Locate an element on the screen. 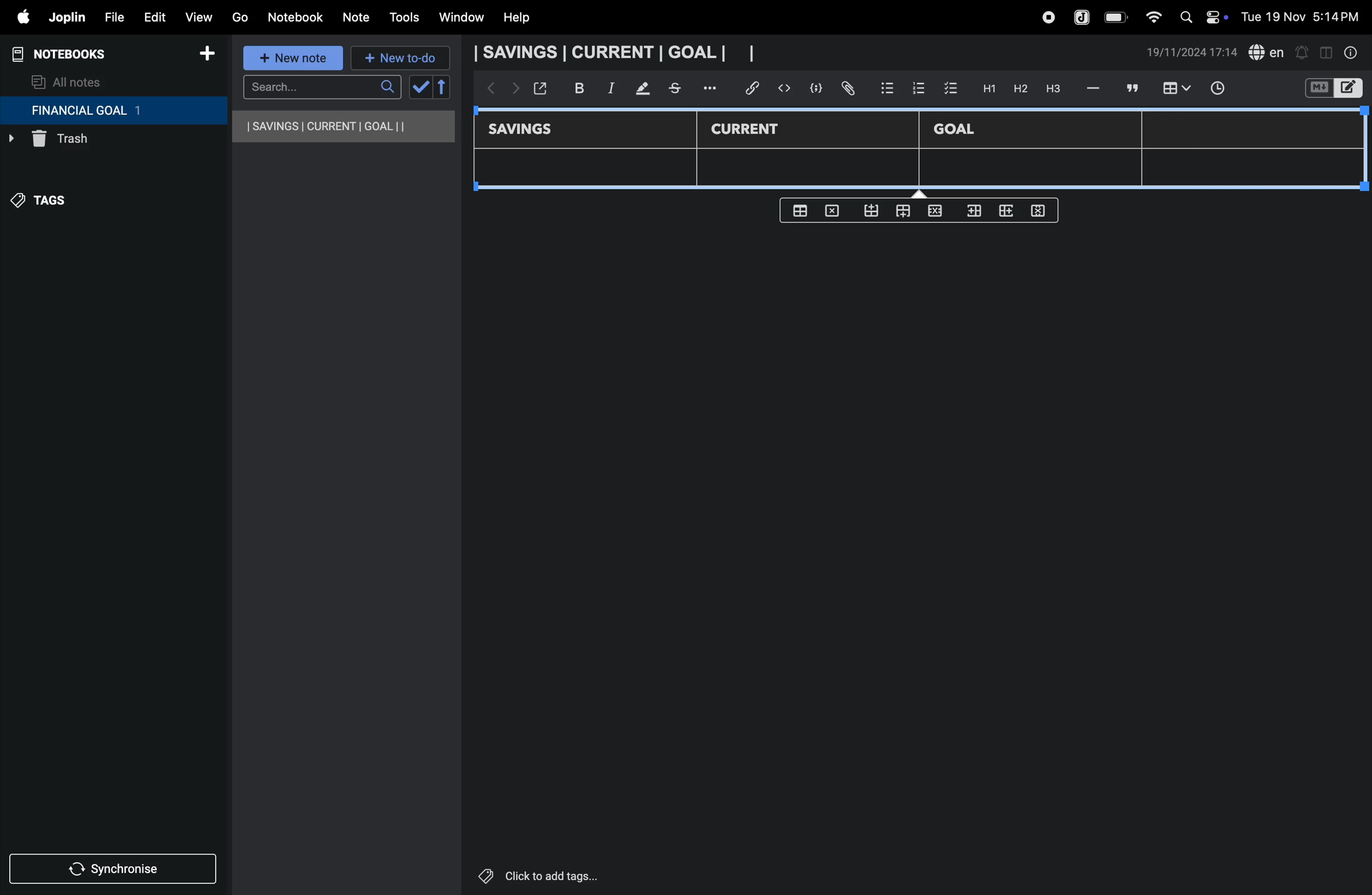 The height and width of the screenshot is (895, 1372). new to-do is located at coordinates (401, 59).